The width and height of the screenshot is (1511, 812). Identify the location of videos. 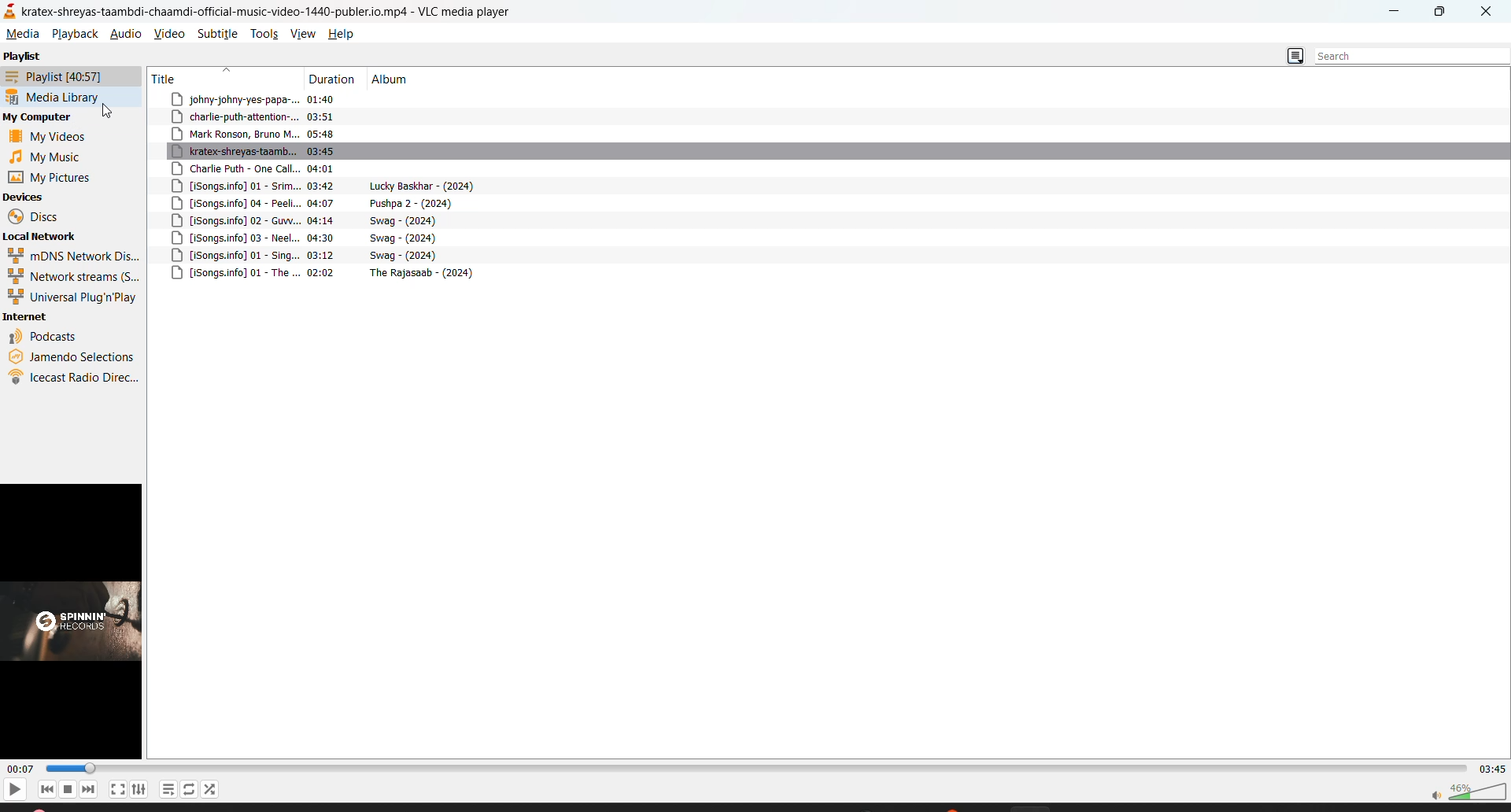
(54, 136).